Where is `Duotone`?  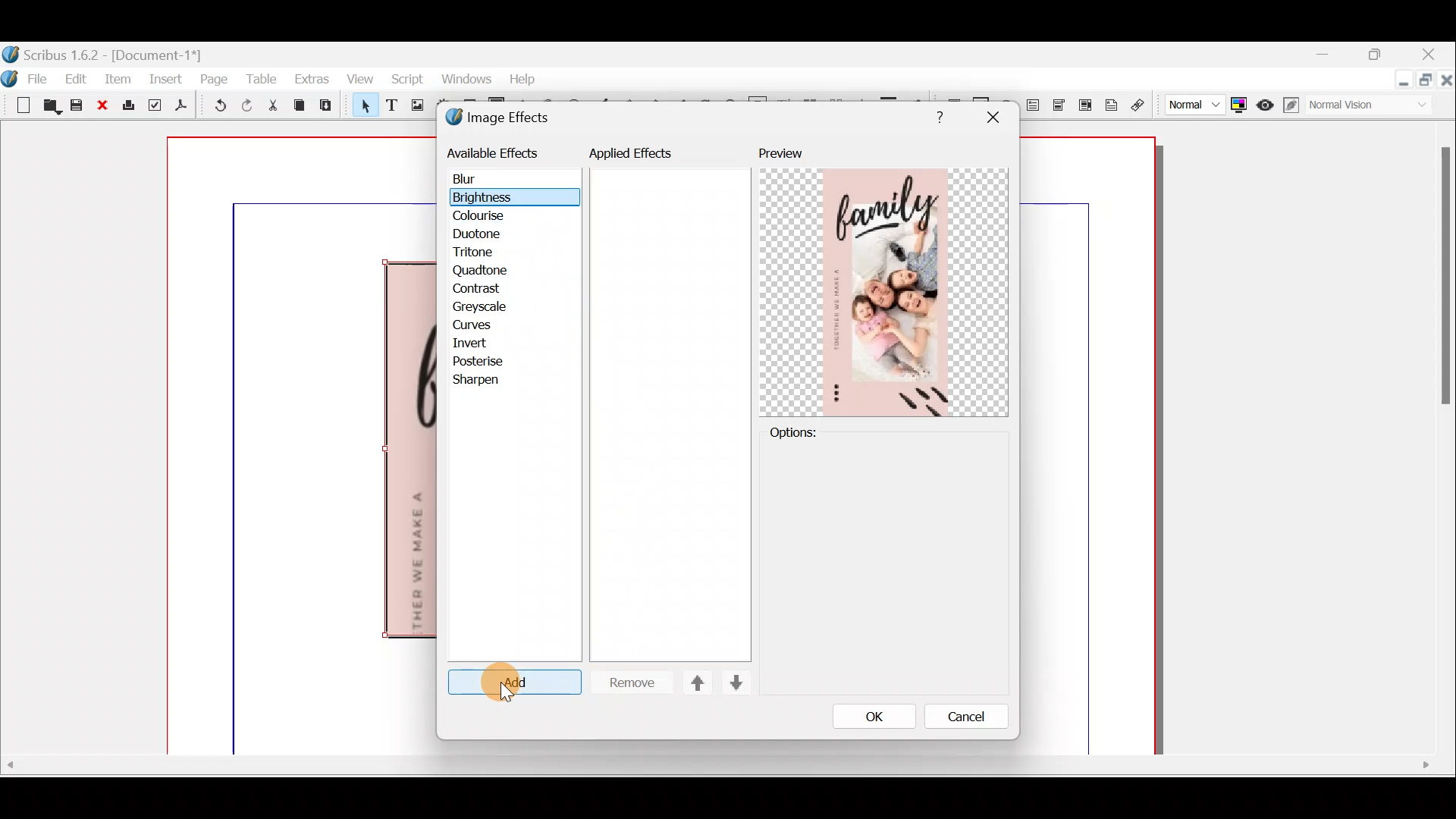 Duotone is located at coordinates (480, 236).